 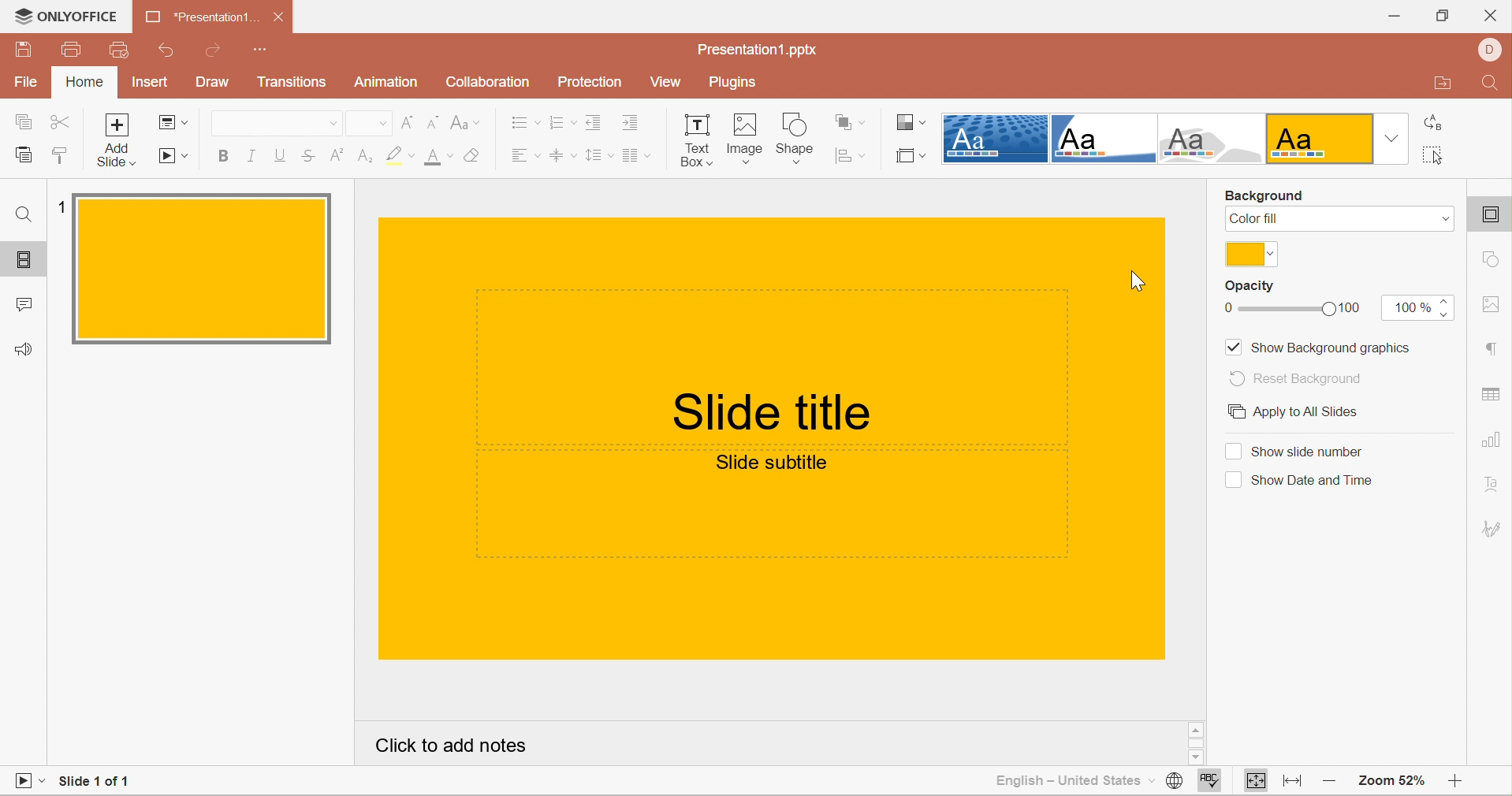 I want to click on Slides, so click(x=24, y=260).